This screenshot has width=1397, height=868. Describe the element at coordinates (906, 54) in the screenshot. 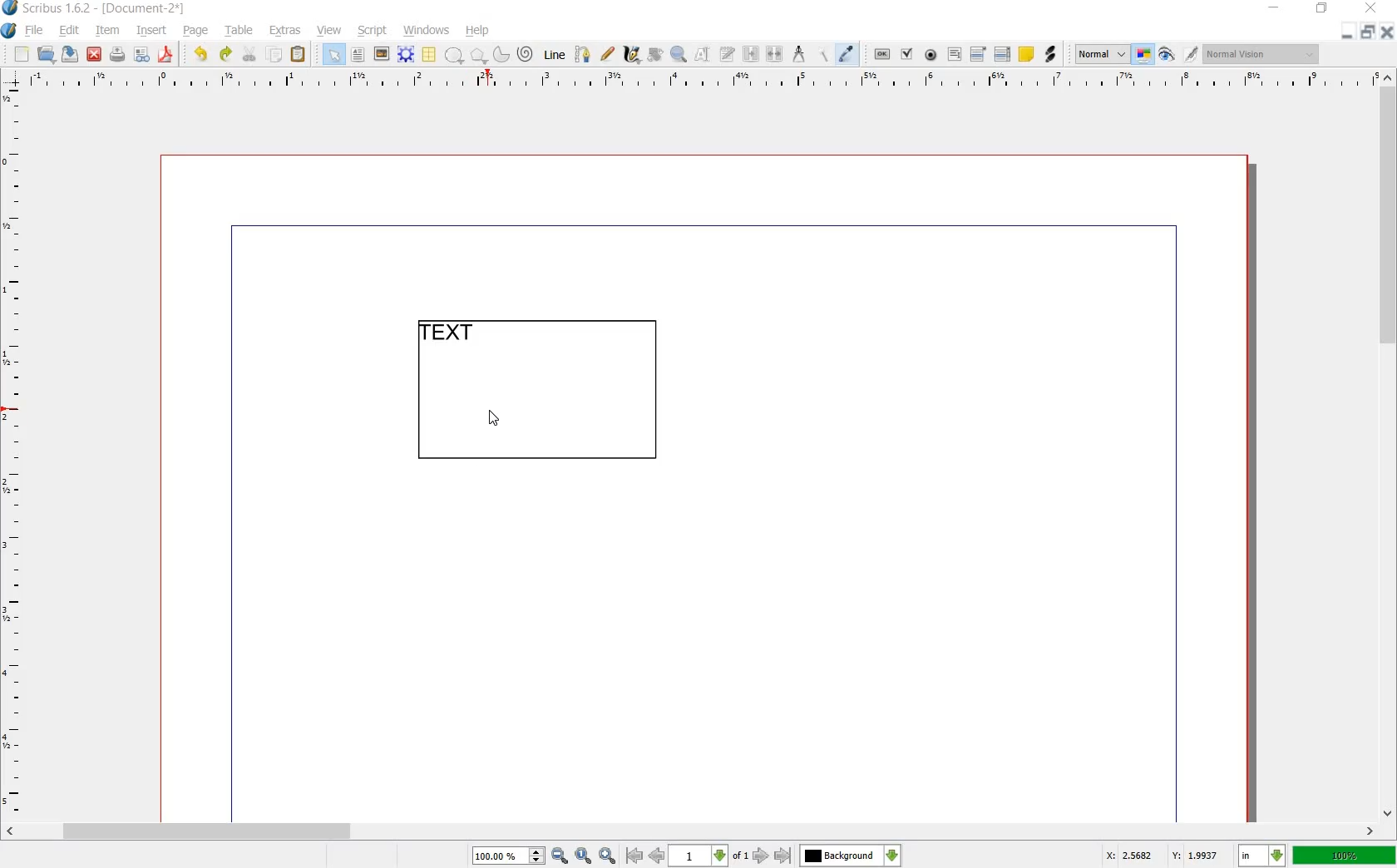

I see `pdf check box` at that location.